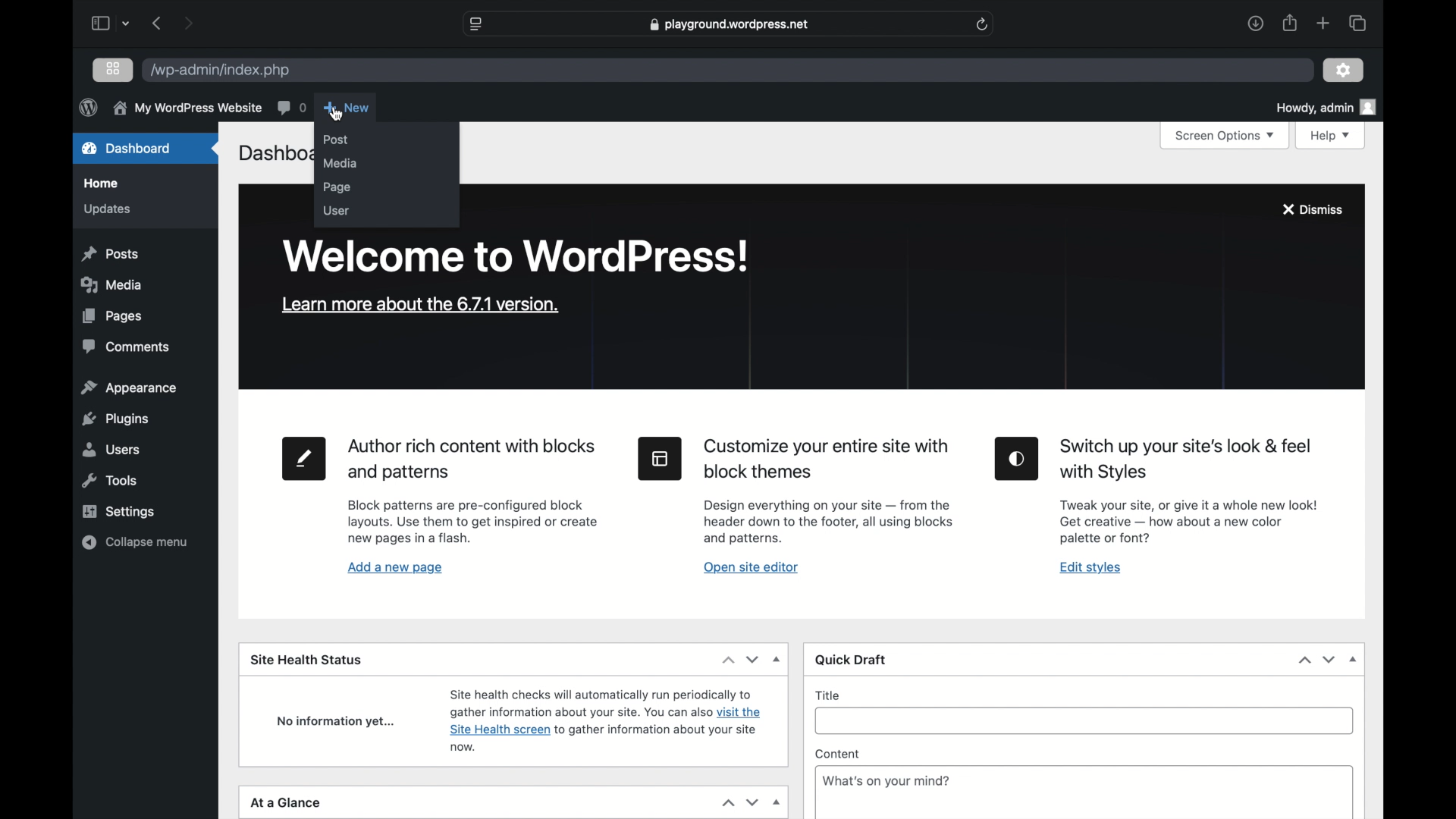  I want to click on show sidebar, so click(99, 23).